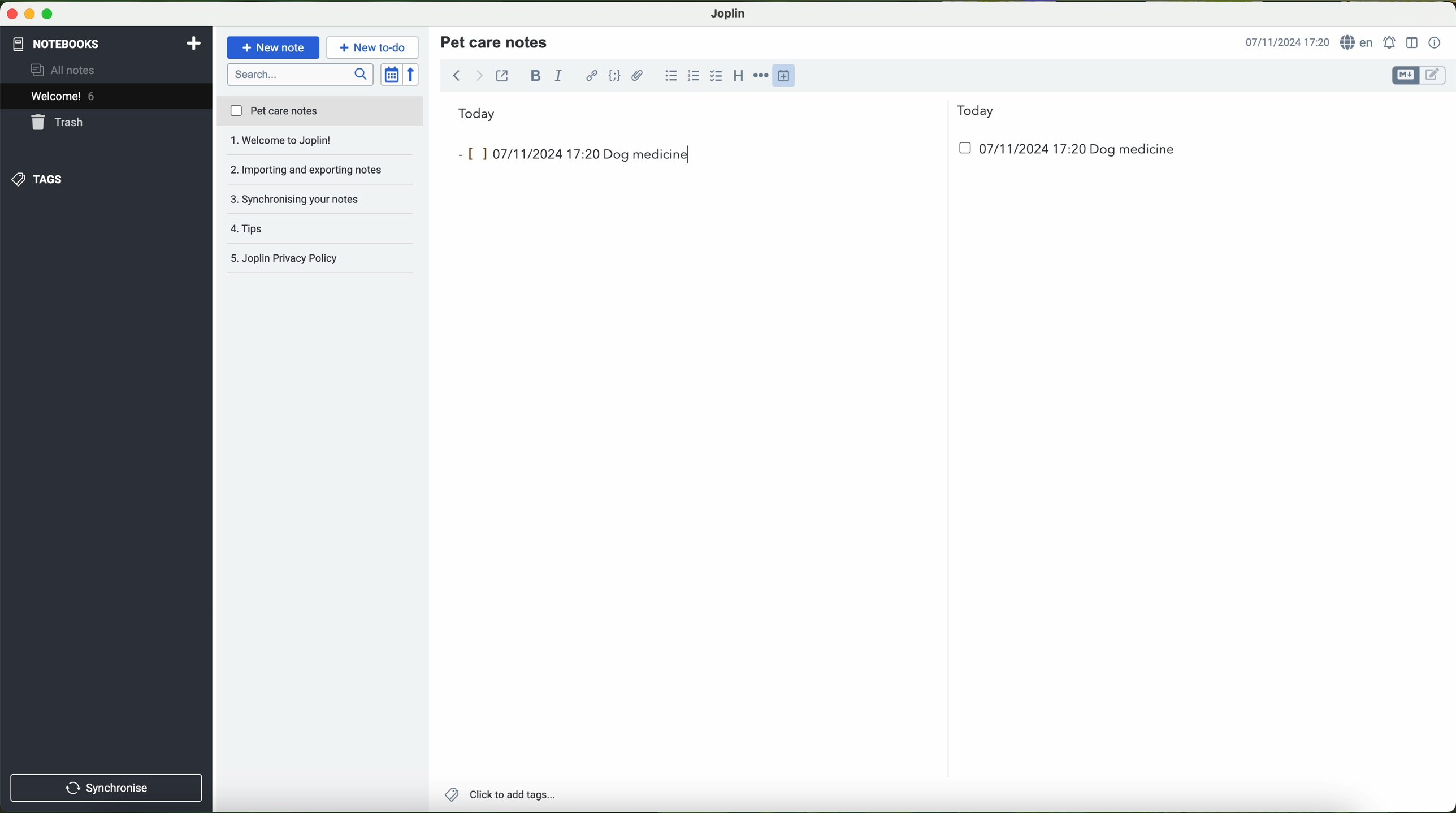 The image size is (1456, 813). Describe the element at coordinates (321, 229) in the screenshot. I see `Joplin privacy policy` at that location.